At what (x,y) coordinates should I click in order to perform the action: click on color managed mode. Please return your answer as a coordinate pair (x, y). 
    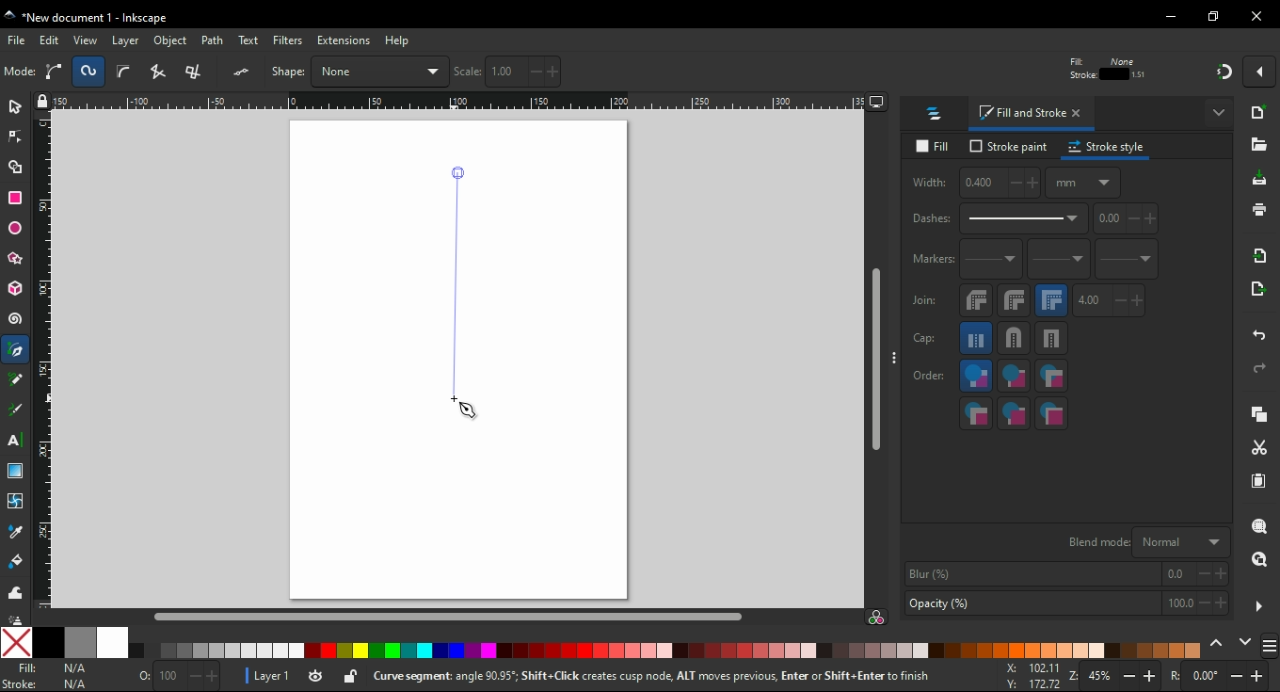
    Looking at the image, I should click on (876, 619).